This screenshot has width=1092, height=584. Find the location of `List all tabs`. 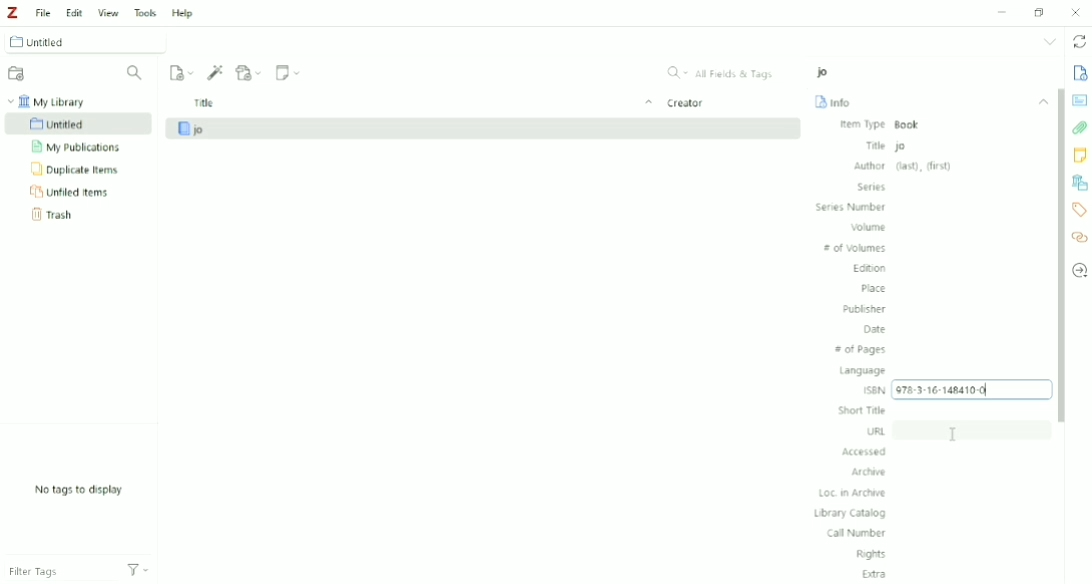

List all tabs is located at coordinates (1050, 41).